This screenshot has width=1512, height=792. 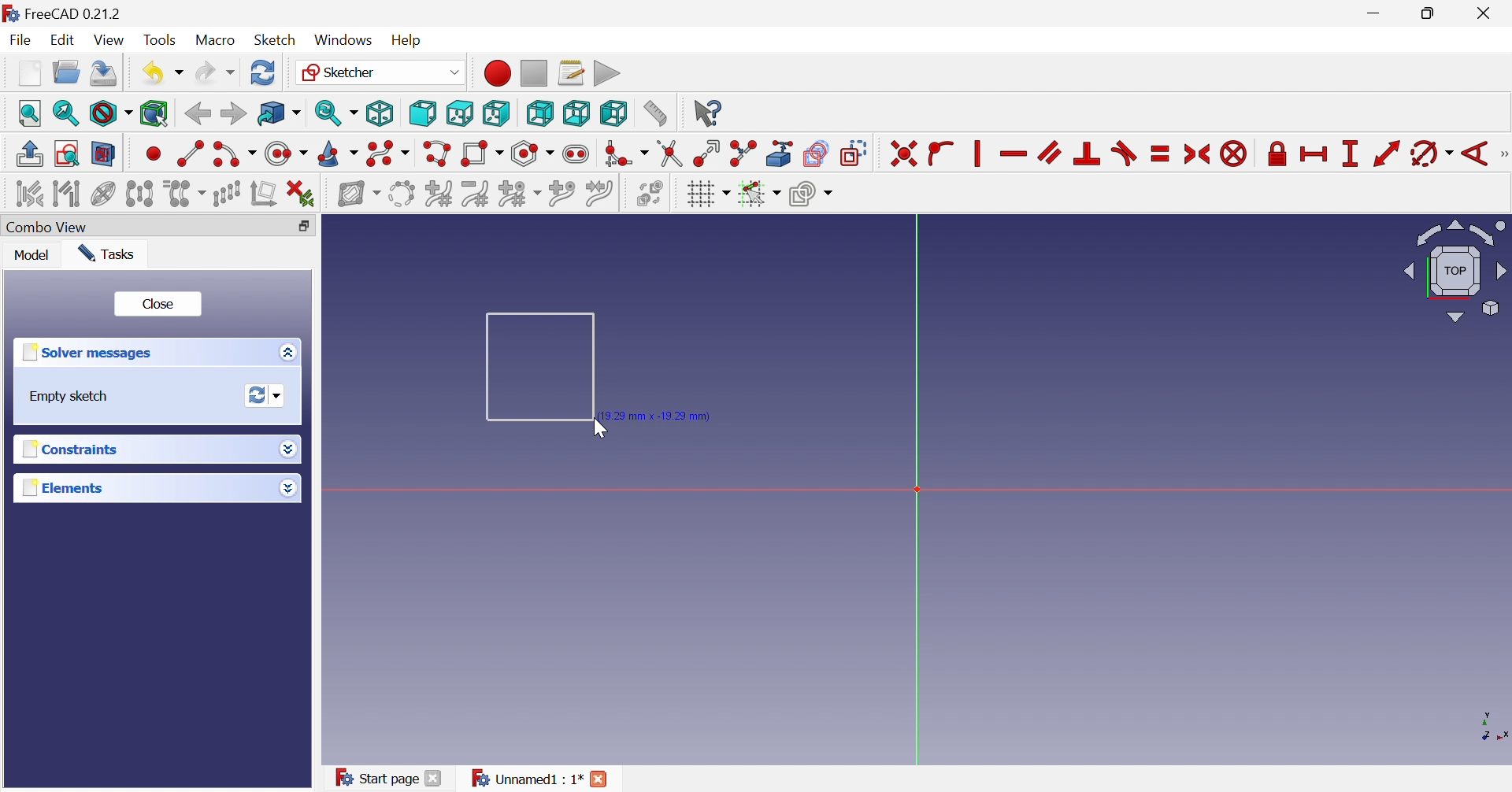 I want to click on Drop down, so click(x=287, y=489).